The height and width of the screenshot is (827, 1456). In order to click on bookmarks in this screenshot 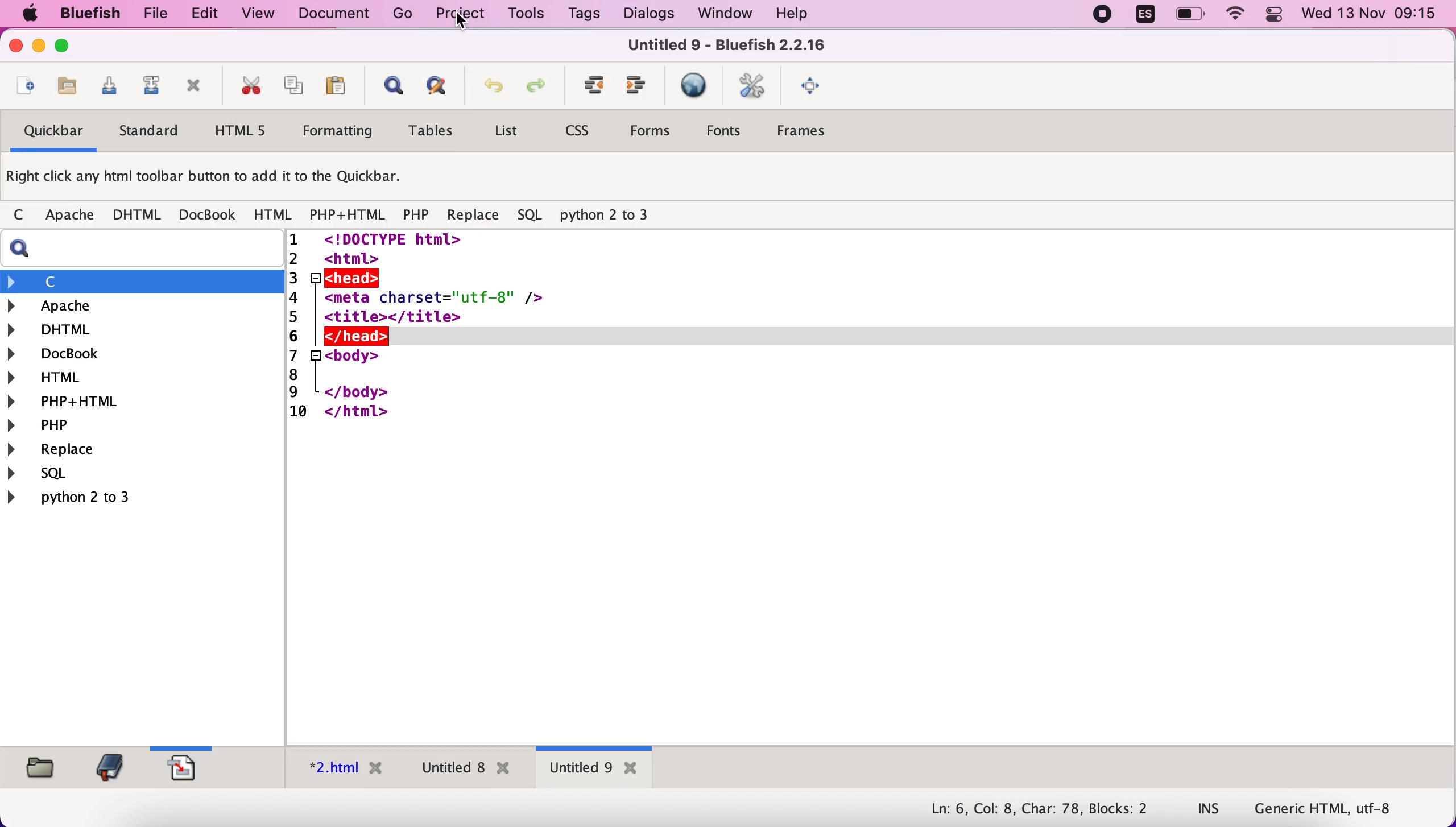, I will do `click(106, 767)`.